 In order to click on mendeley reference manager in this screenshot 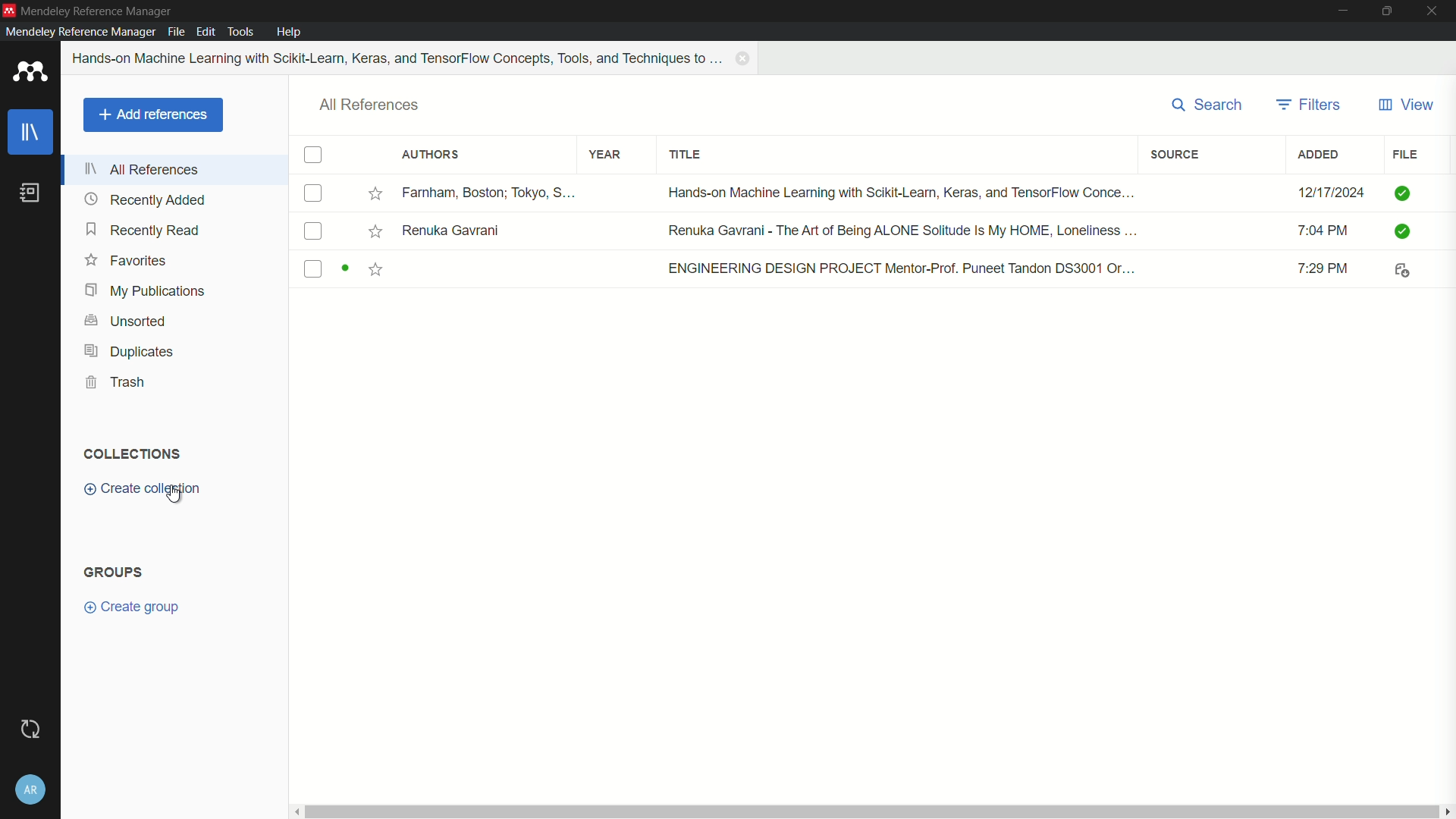, I will do `click(80, 31)`.